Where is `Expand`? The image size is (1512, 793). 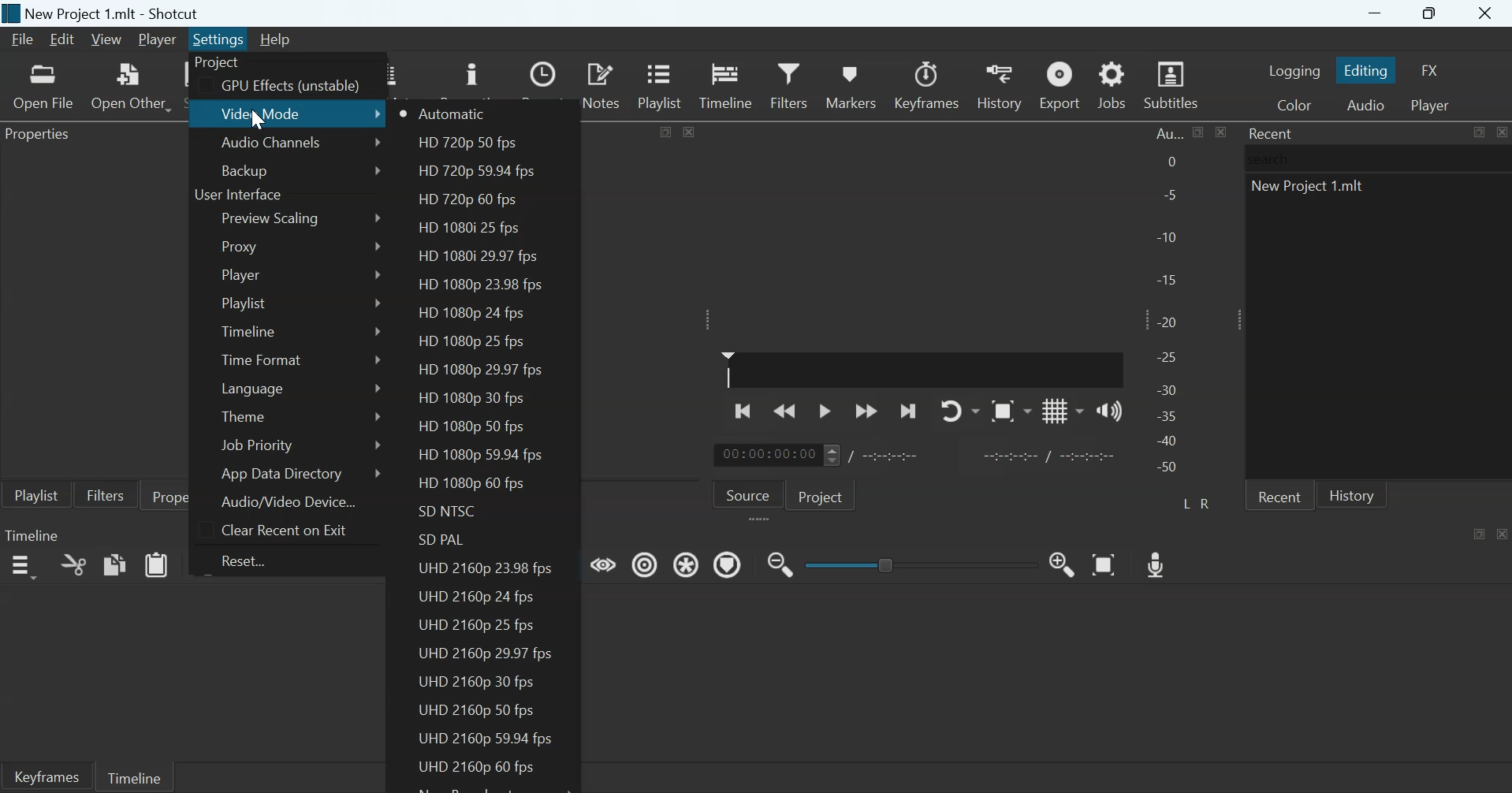
Expand is located at coordinates (709, 319).